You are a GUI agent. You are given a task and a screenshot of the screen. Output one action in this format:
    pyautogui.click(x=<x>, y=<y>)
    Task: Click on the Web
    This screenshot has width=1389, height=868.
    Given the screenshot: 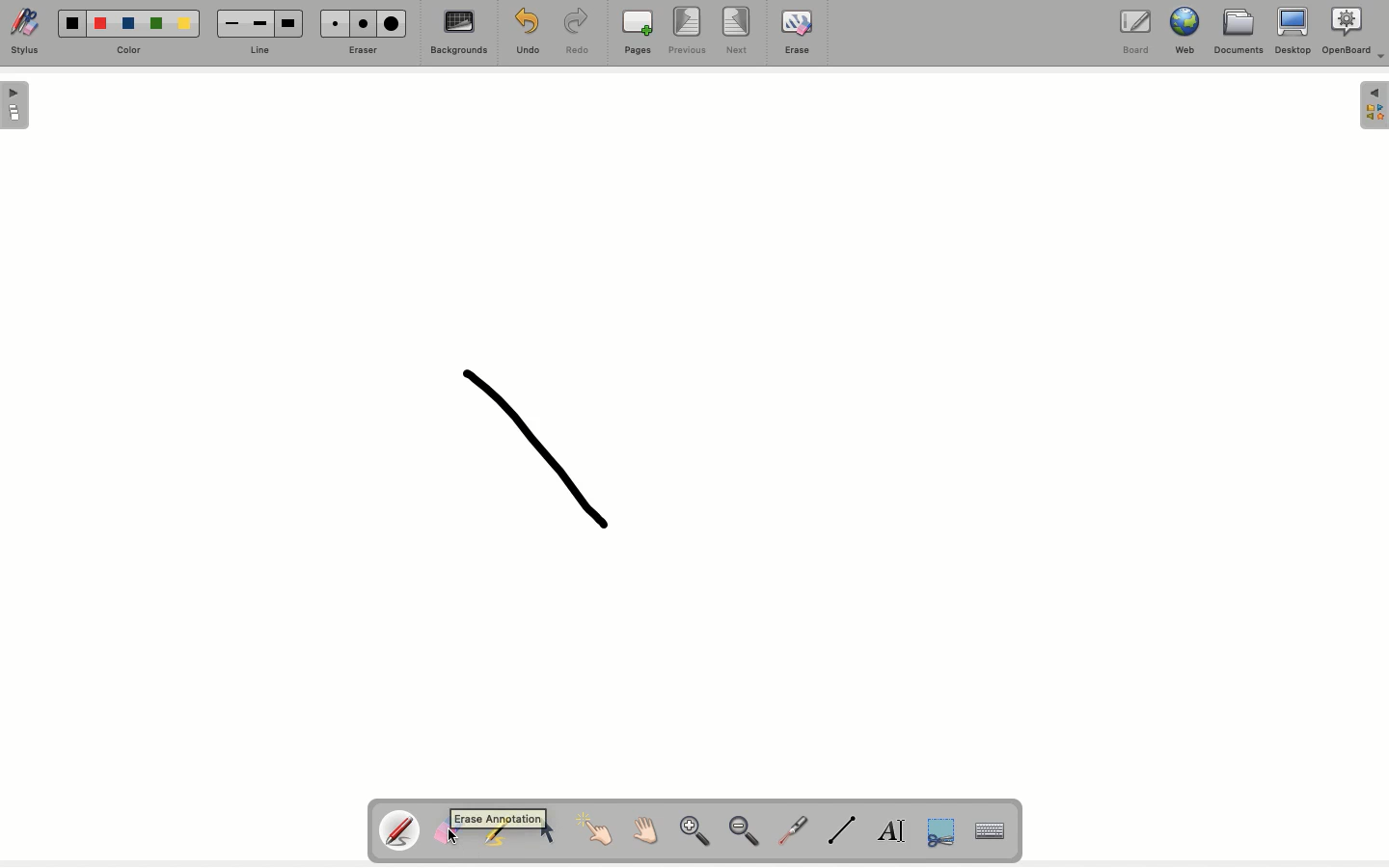 What is the action you would take?
    pyautogui.click(x=1187, y=32)
    